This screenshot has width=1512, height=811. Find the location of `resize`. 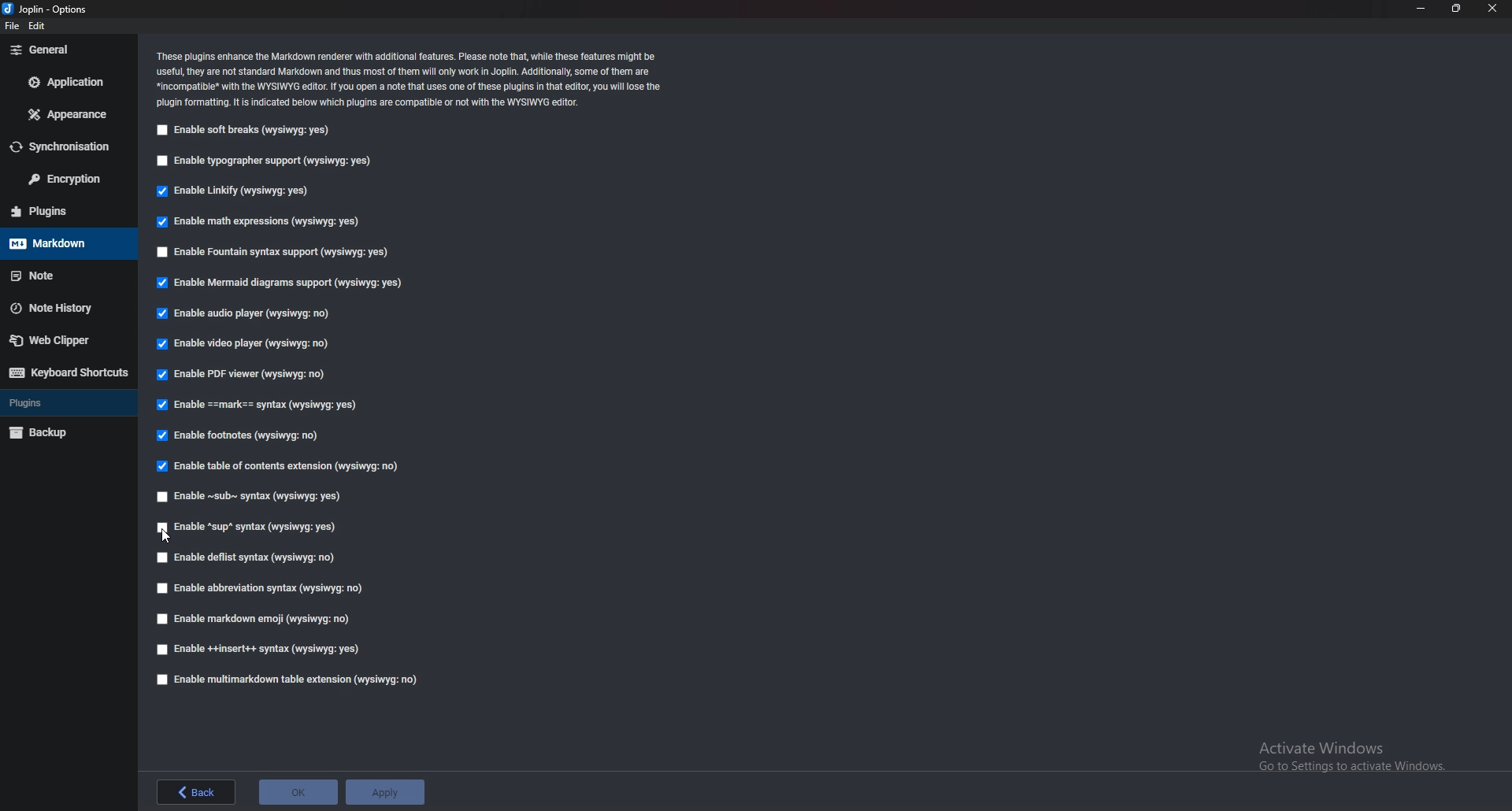

resize is located at coordinates (1455, 9).